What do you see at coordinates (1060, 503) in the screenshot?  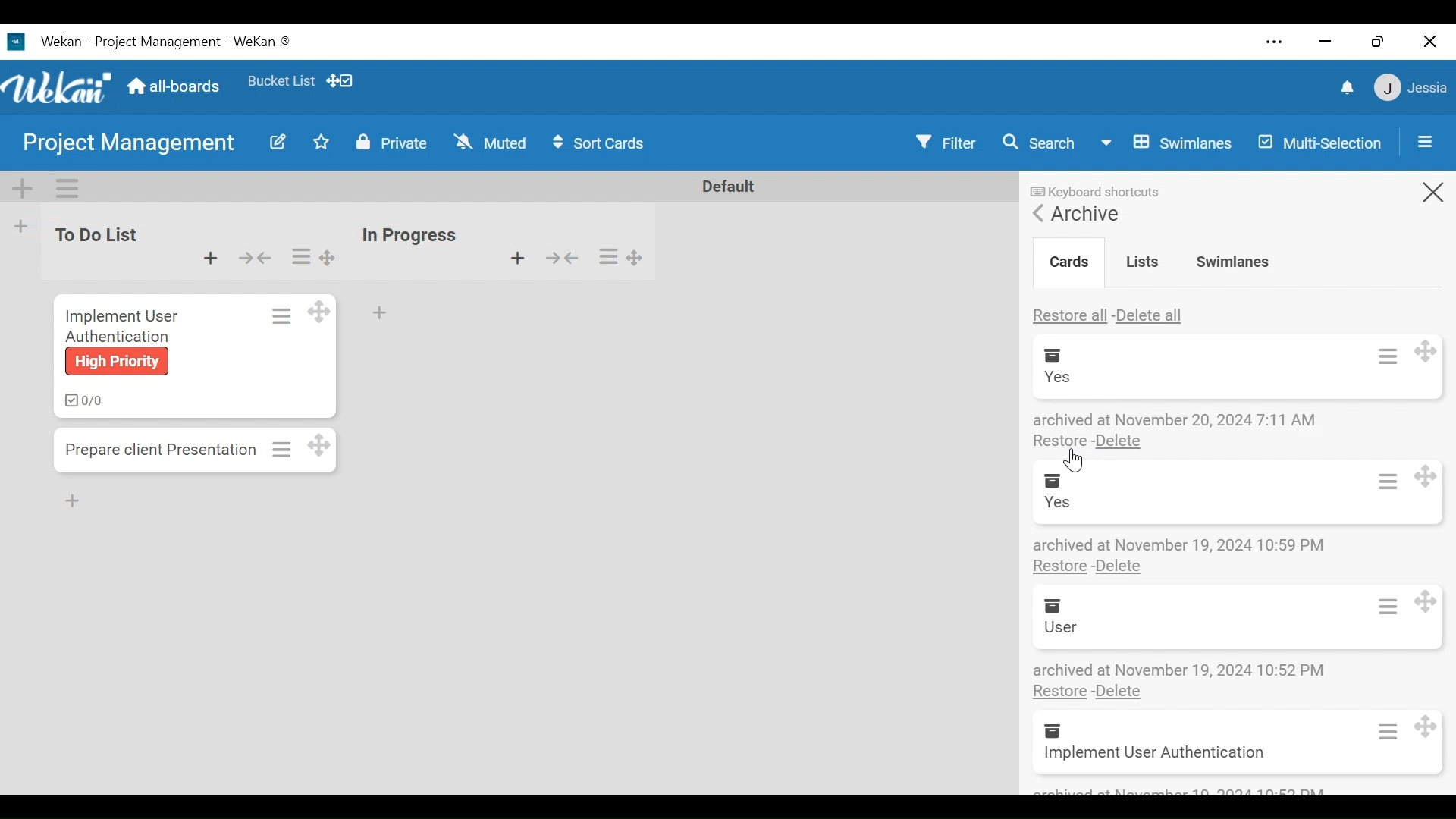 I see `yes` at bounding box center [1060, 503].